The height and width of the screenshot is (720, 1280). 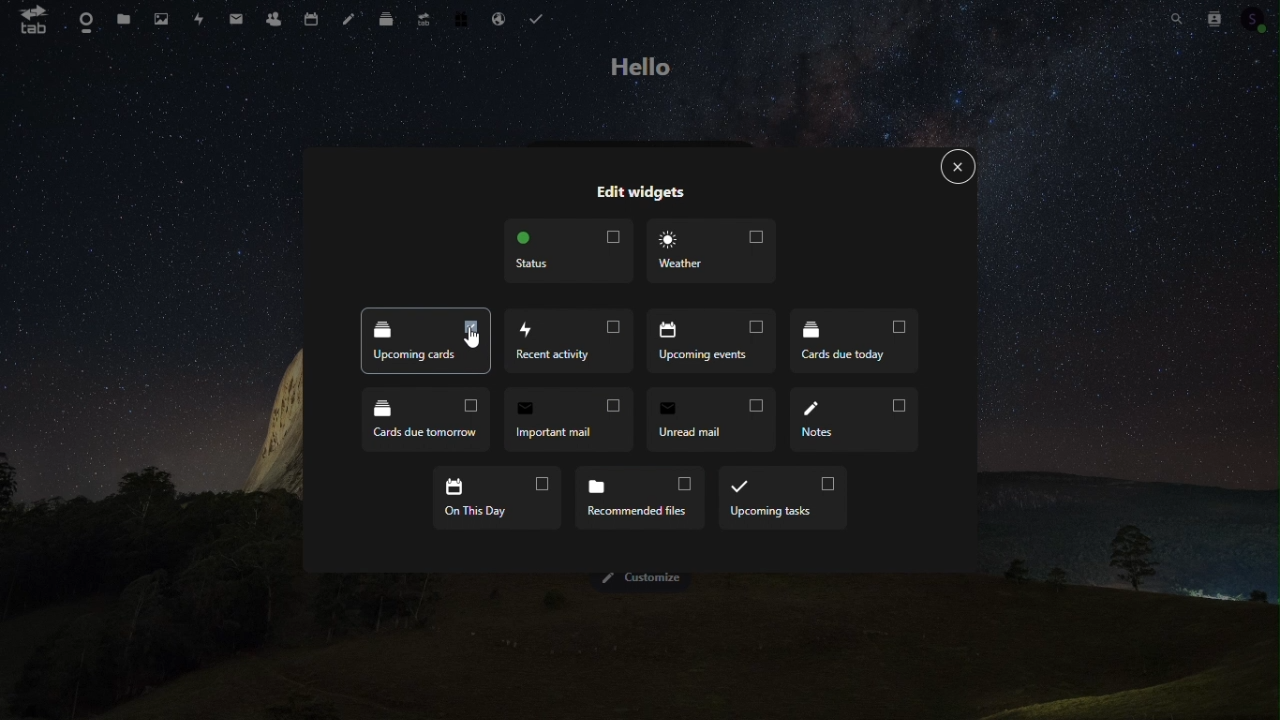 I want to click on cards due tomorrow, so click(x=423, y=419).